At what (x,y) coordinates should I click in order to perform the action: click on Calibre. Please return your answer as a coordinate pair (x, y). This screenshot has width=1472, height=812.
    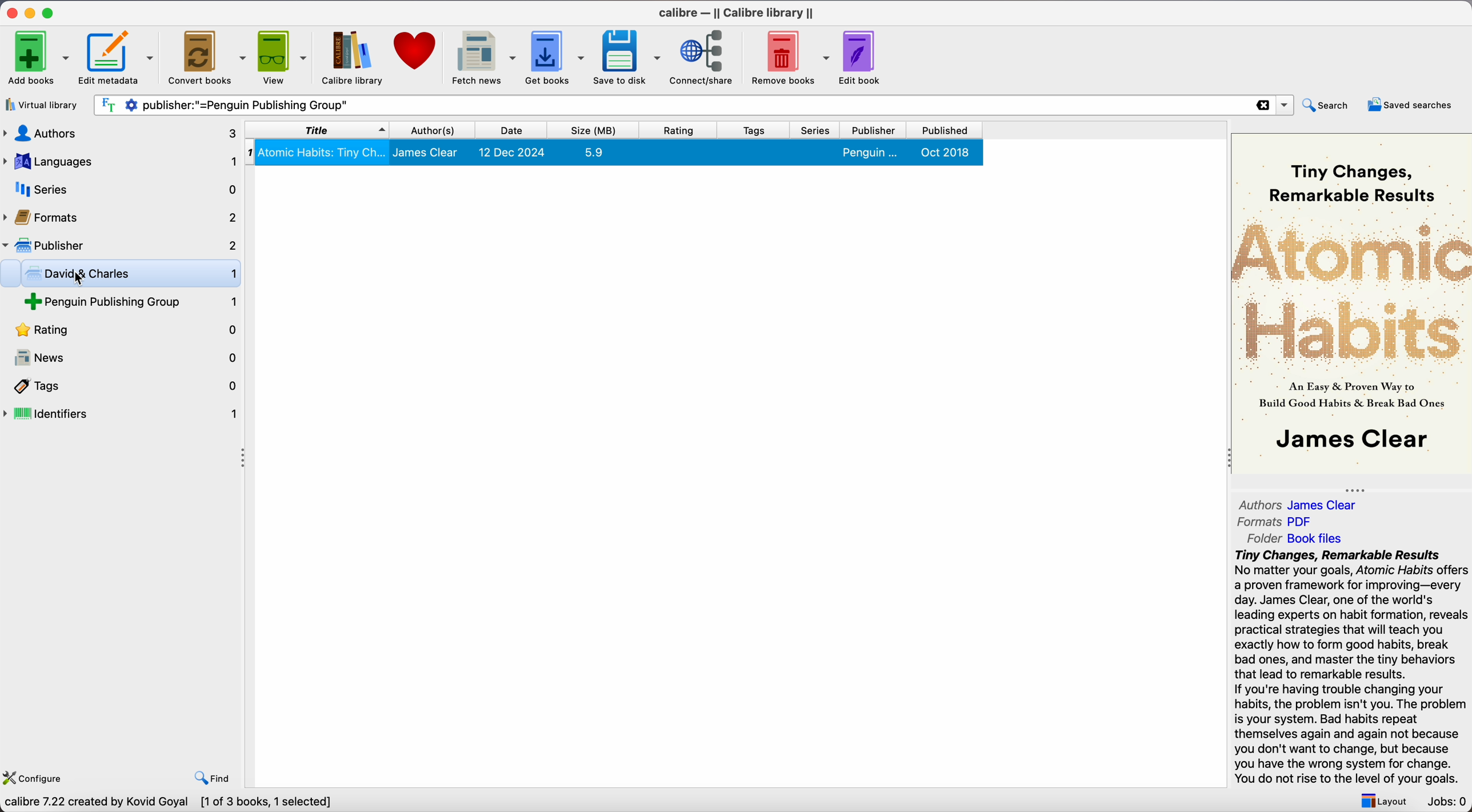
    Looking at the image, I should click on (738, 13).